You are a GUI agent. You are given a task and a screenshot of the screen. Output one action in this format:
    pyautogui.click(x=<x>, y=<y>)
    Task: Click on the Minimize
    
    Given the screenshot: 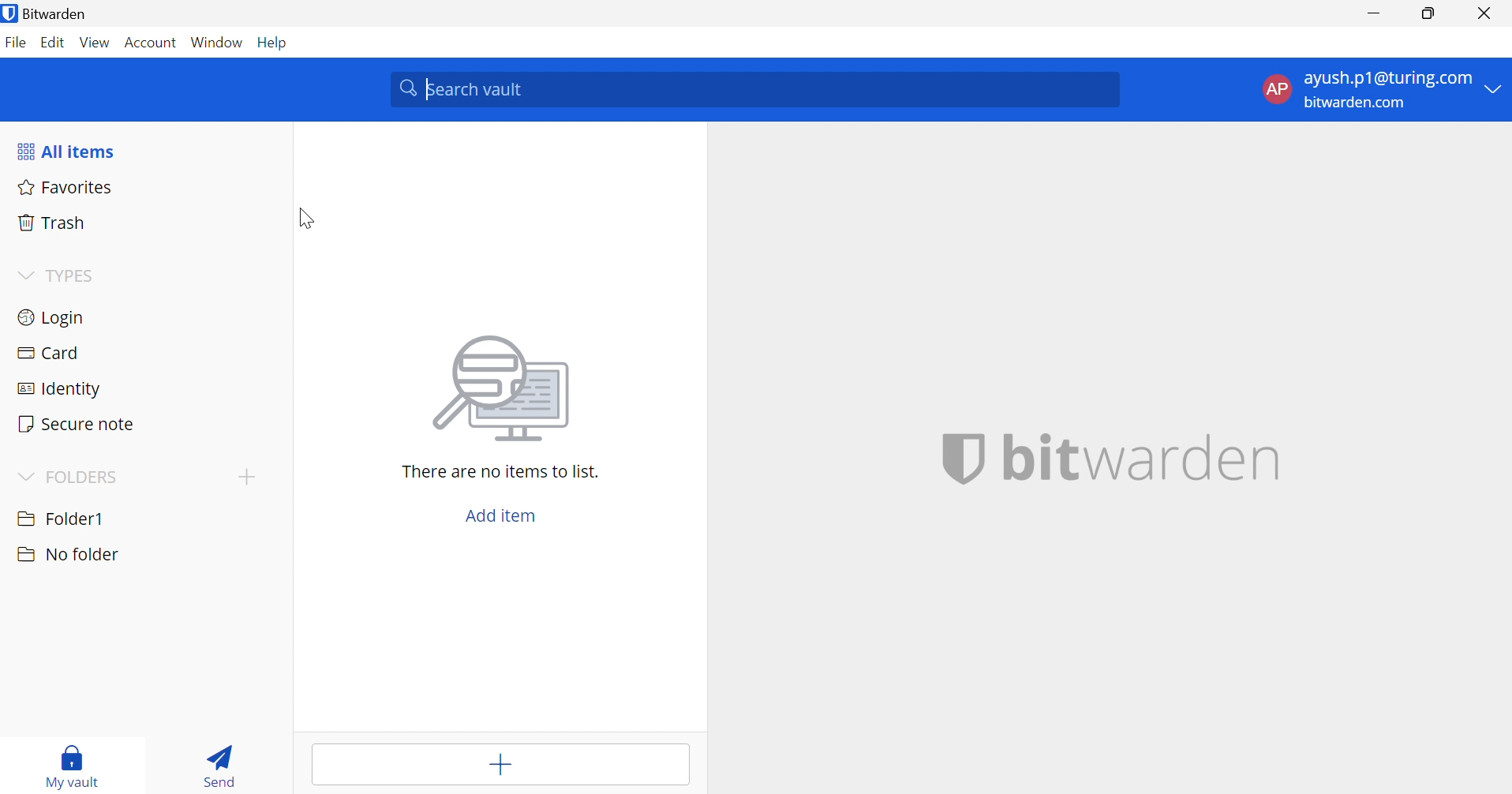 What is the action you would take?
    pyautogui.click(x=1372, y=11)
    